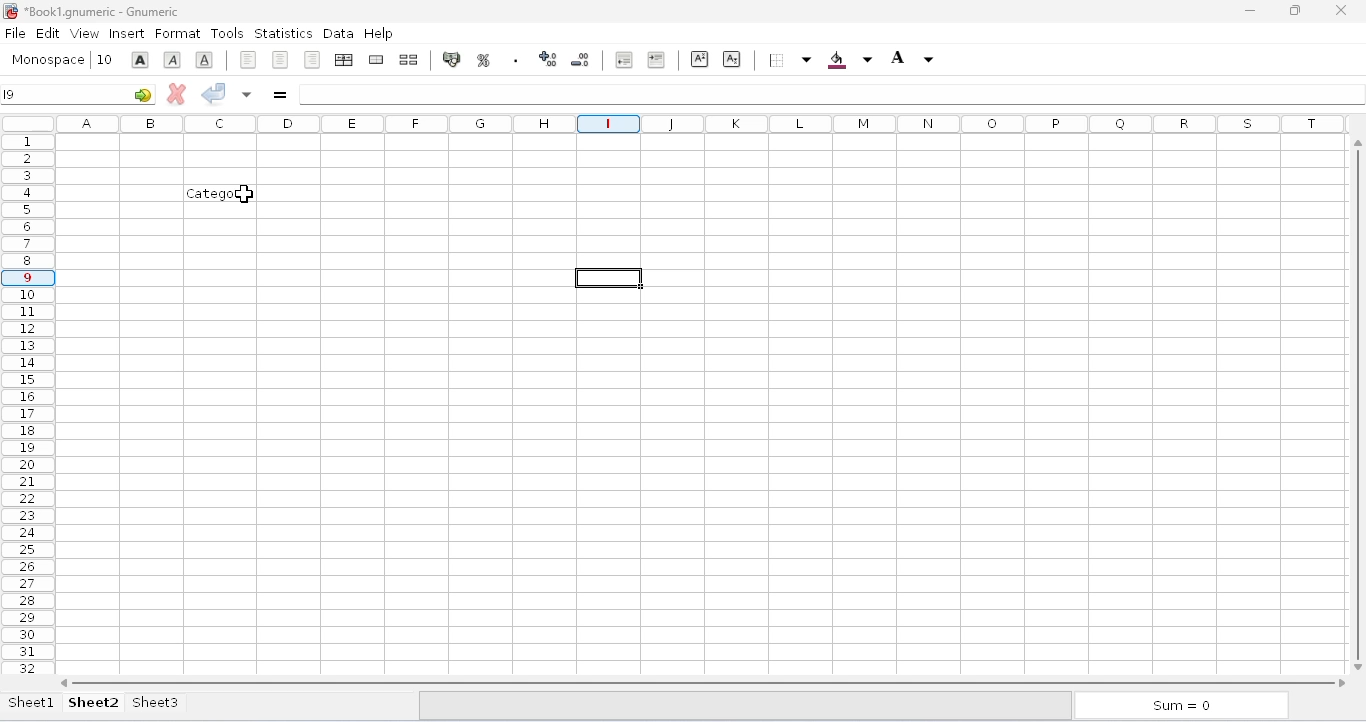  Describe the element at coordinates (178, 34) in the screenshot. I see `format` at that location.